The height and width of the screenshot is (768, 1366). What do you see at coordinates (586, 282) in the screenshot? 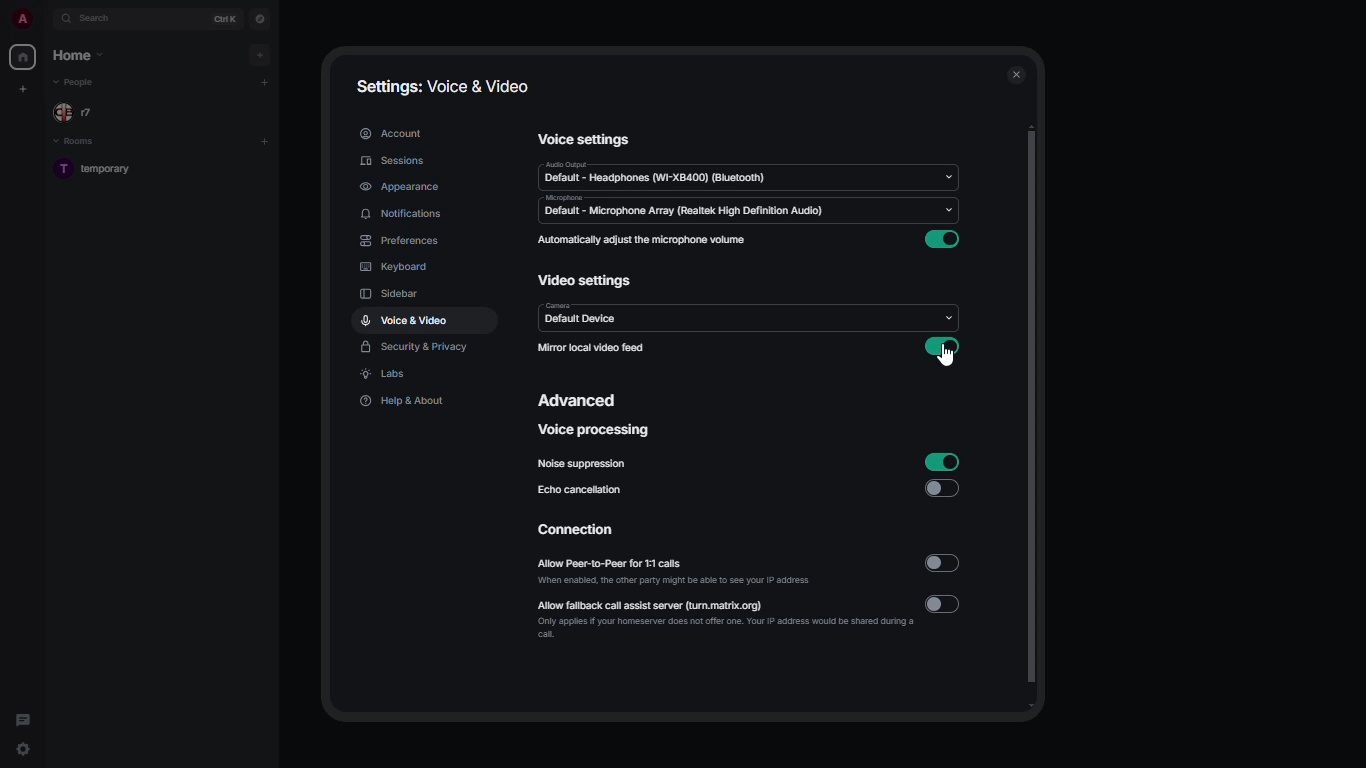
I see `video settings` at bounding box center [586, 282].